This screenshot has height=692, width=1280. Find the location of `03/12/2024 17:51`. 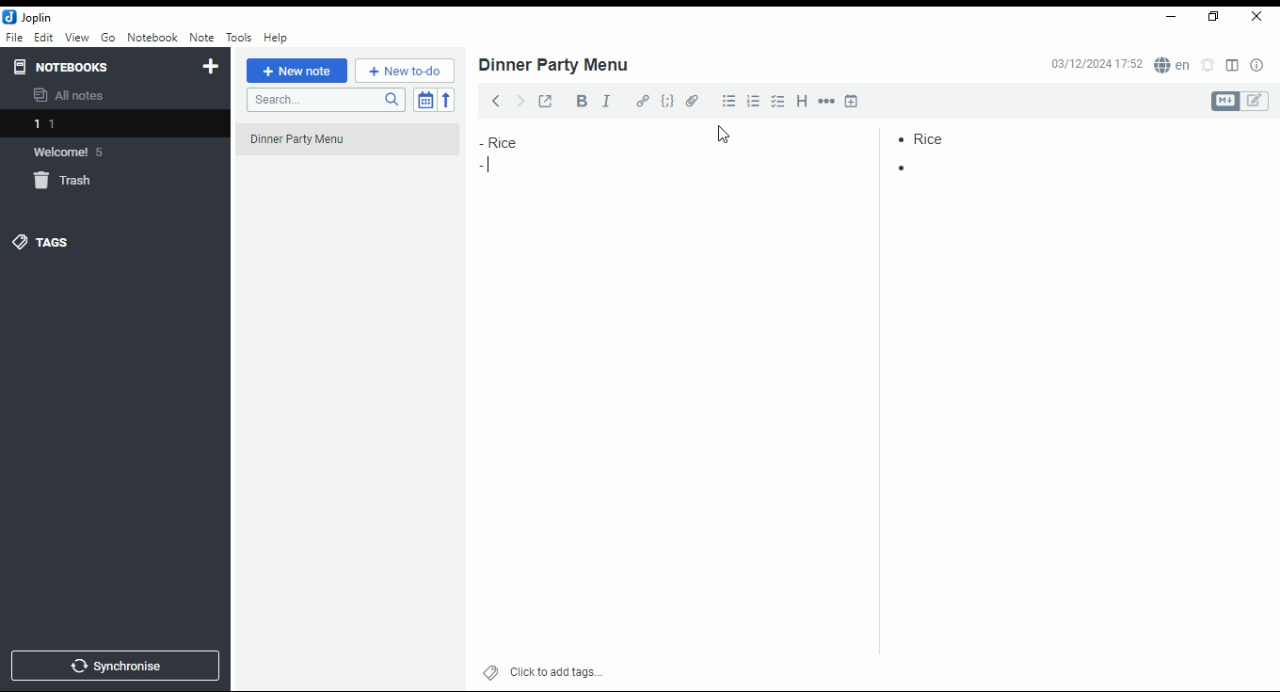

03/12/2024 17:51 is located at coordinates (1094, 65).